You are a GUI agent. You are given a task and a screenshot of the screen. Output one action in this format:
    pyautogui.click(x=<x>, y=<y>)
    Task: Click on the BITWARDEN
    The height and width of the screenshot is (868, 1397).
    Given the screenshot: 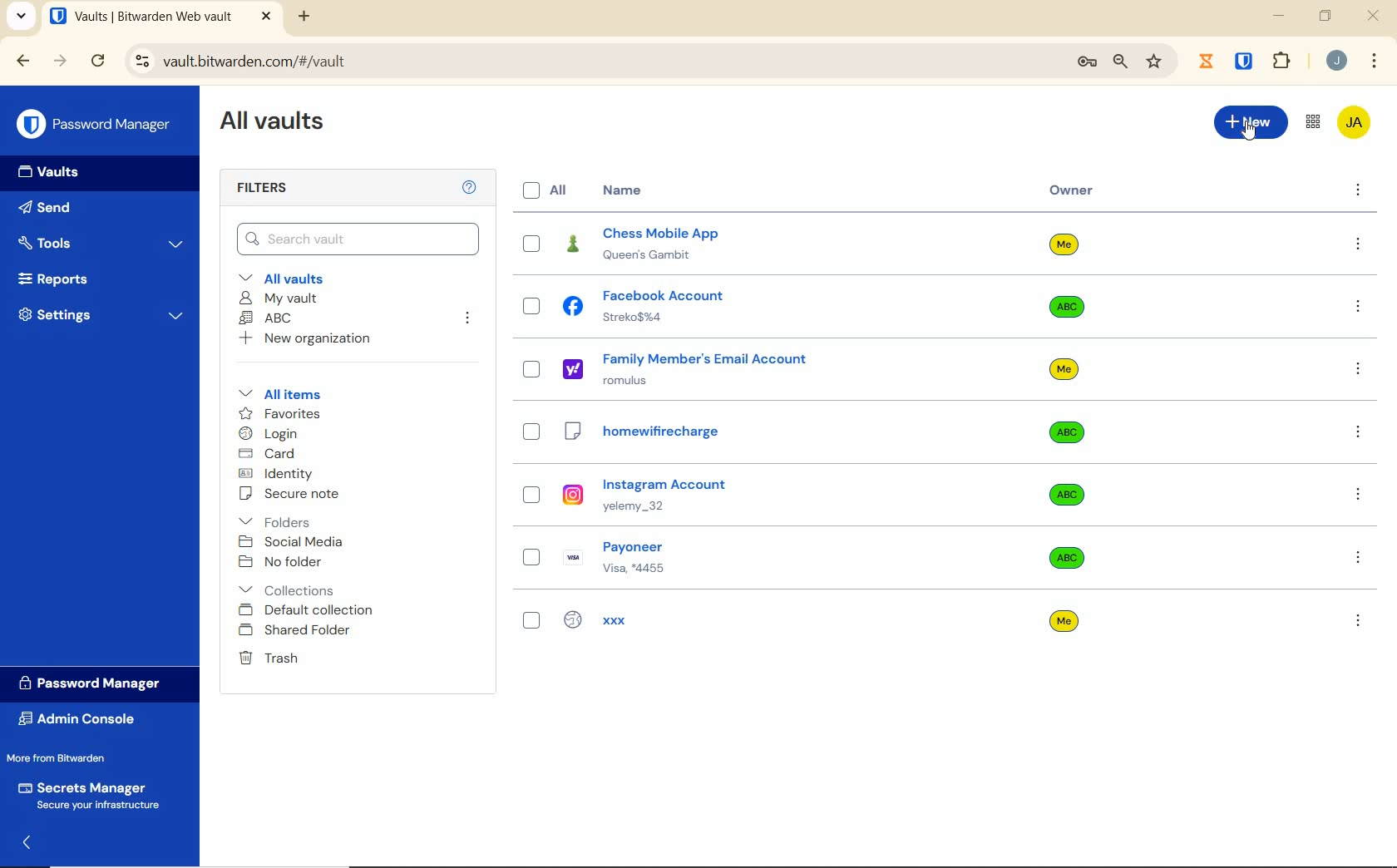 What is the action you would take?
    pyautogui.click(x=1245, y=62)
    